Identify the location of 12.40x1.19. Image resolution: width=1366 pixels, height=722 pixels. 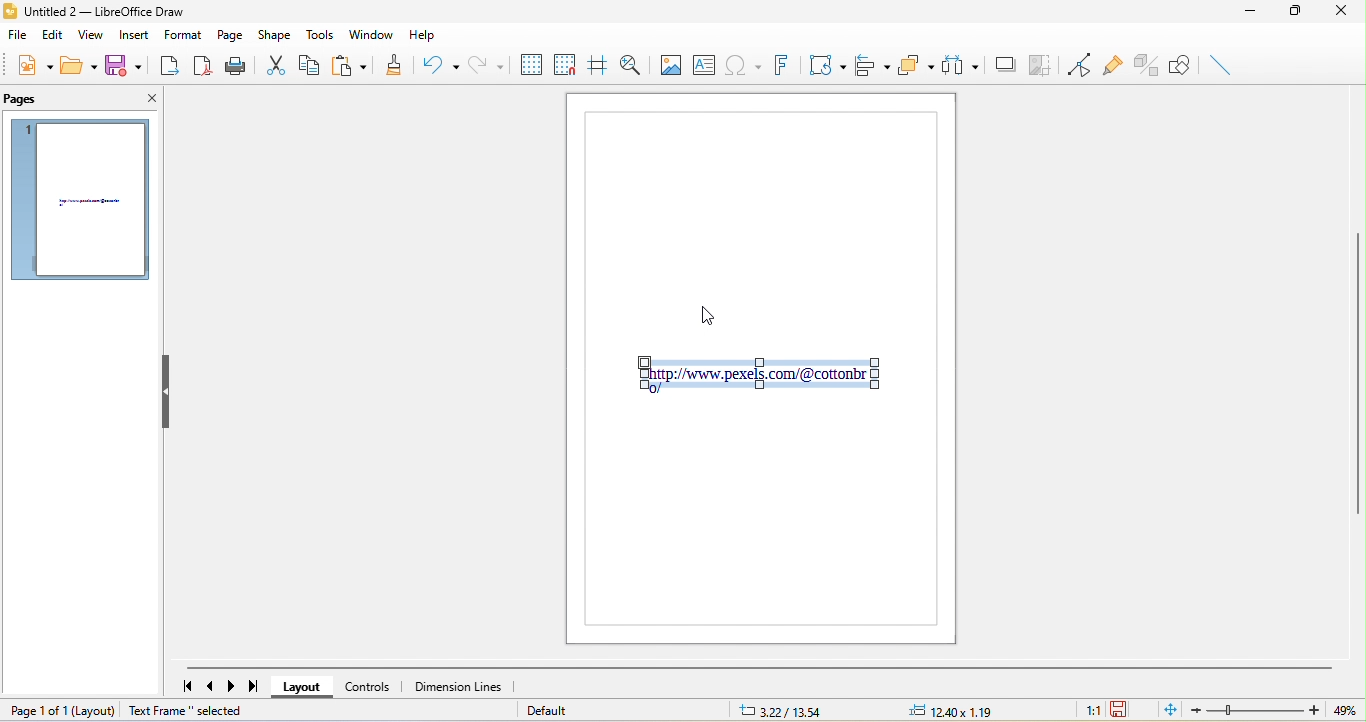
(970, 710).